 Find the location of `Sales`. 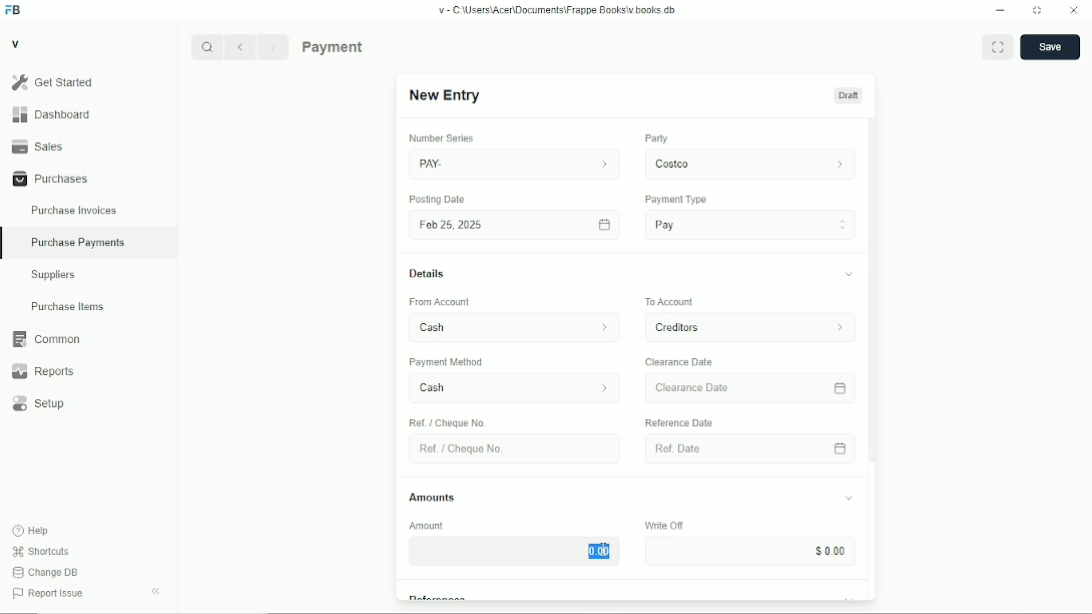

Sales is located at coordinates (88, 146).